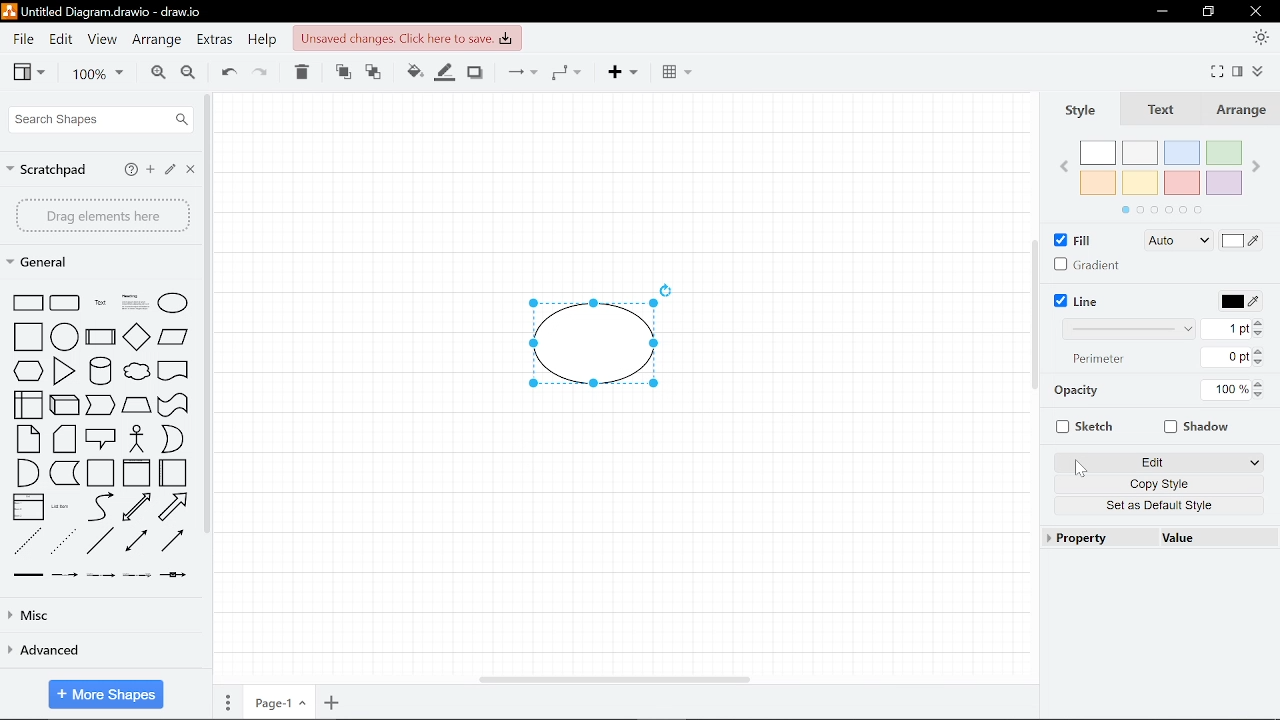  Describe the element at coordinates (1157, 506) in the screenshot. I see `Set as default style` at that location.